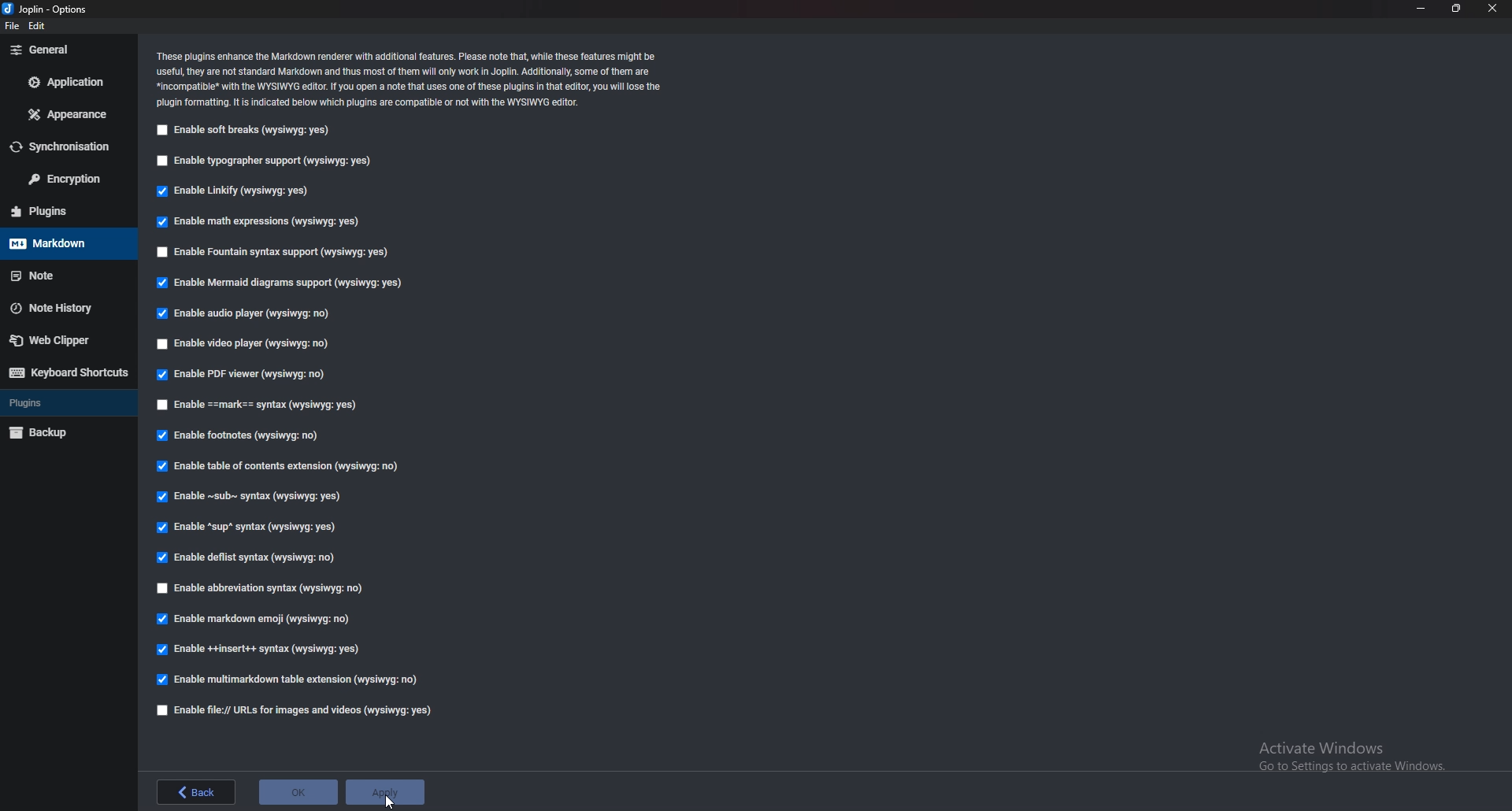  What do you see at coordinates (393, 800) in the screenshot?
I see `cursor` at bounding box center [393, 800].